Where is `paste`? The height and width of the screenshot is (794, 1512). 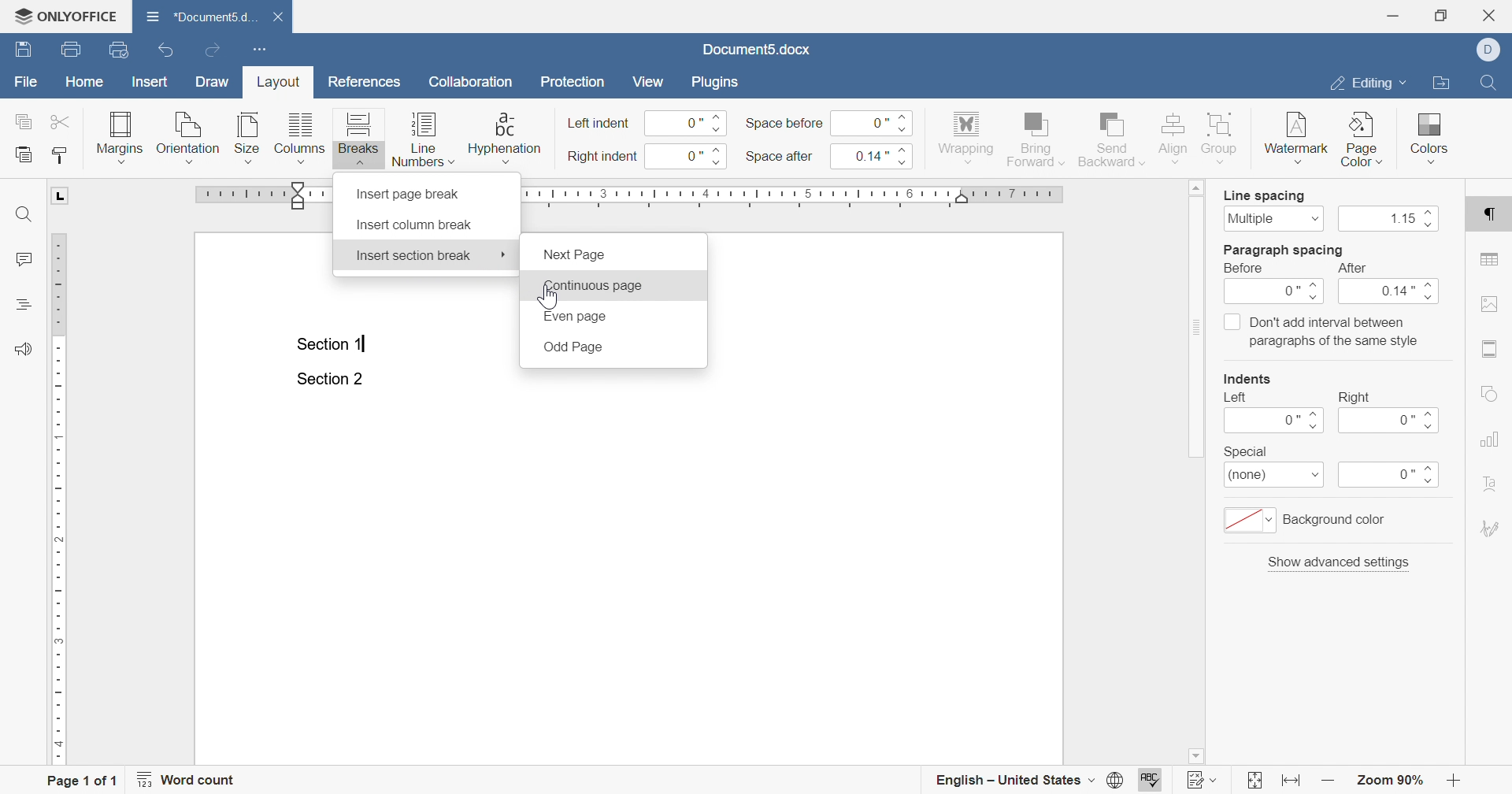 paste is located at coordinates (24, 153).